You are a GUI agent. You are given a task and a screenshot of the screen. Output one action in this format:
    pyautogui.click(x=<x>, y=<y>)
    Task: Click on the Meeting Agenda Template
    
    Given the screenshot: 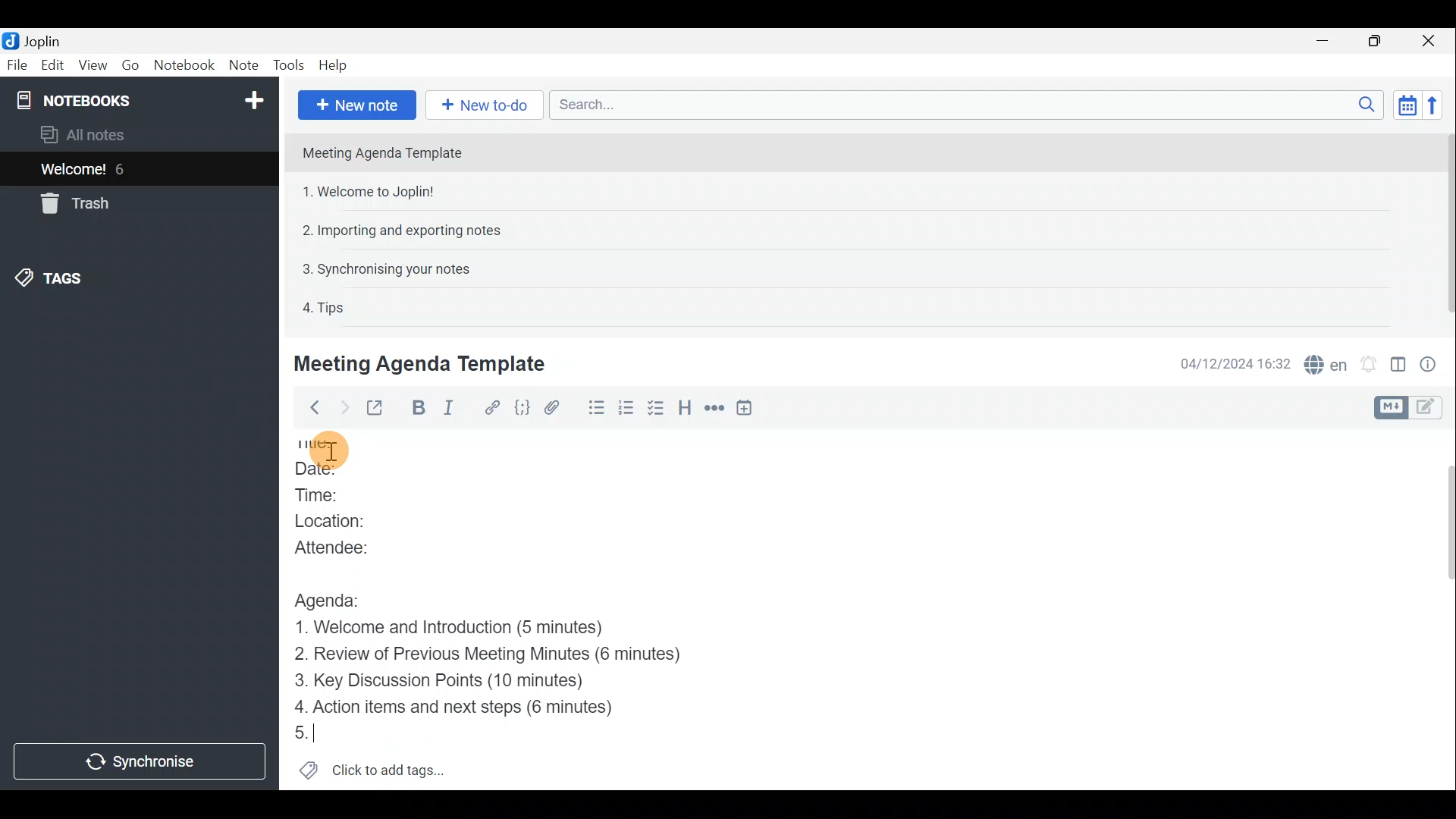 What is the action you would take?
    pyautogui.click(x=384, y=152)
    